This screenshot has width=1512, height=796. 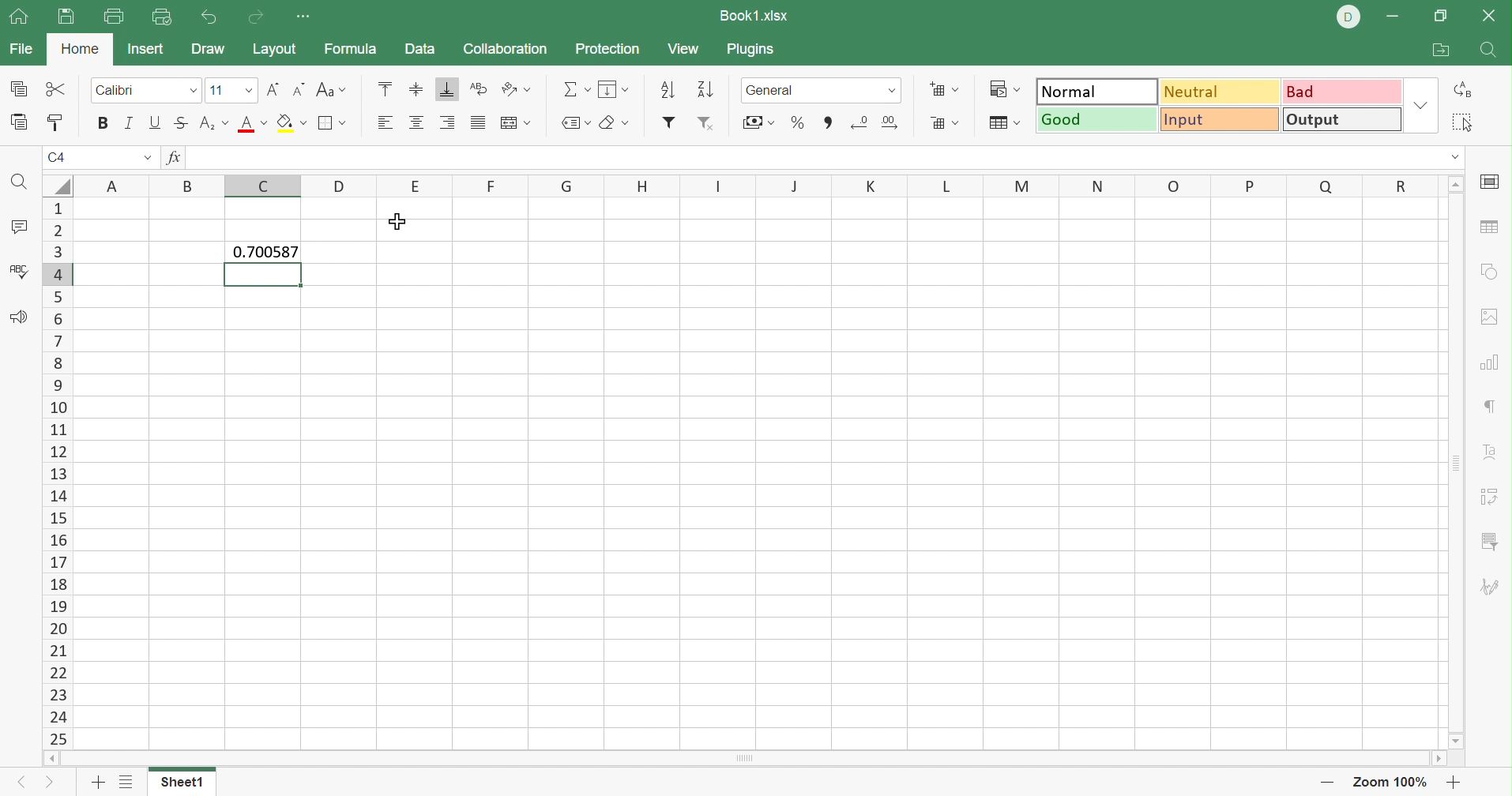 I want to click on Borders, so click(x=332, y=125).